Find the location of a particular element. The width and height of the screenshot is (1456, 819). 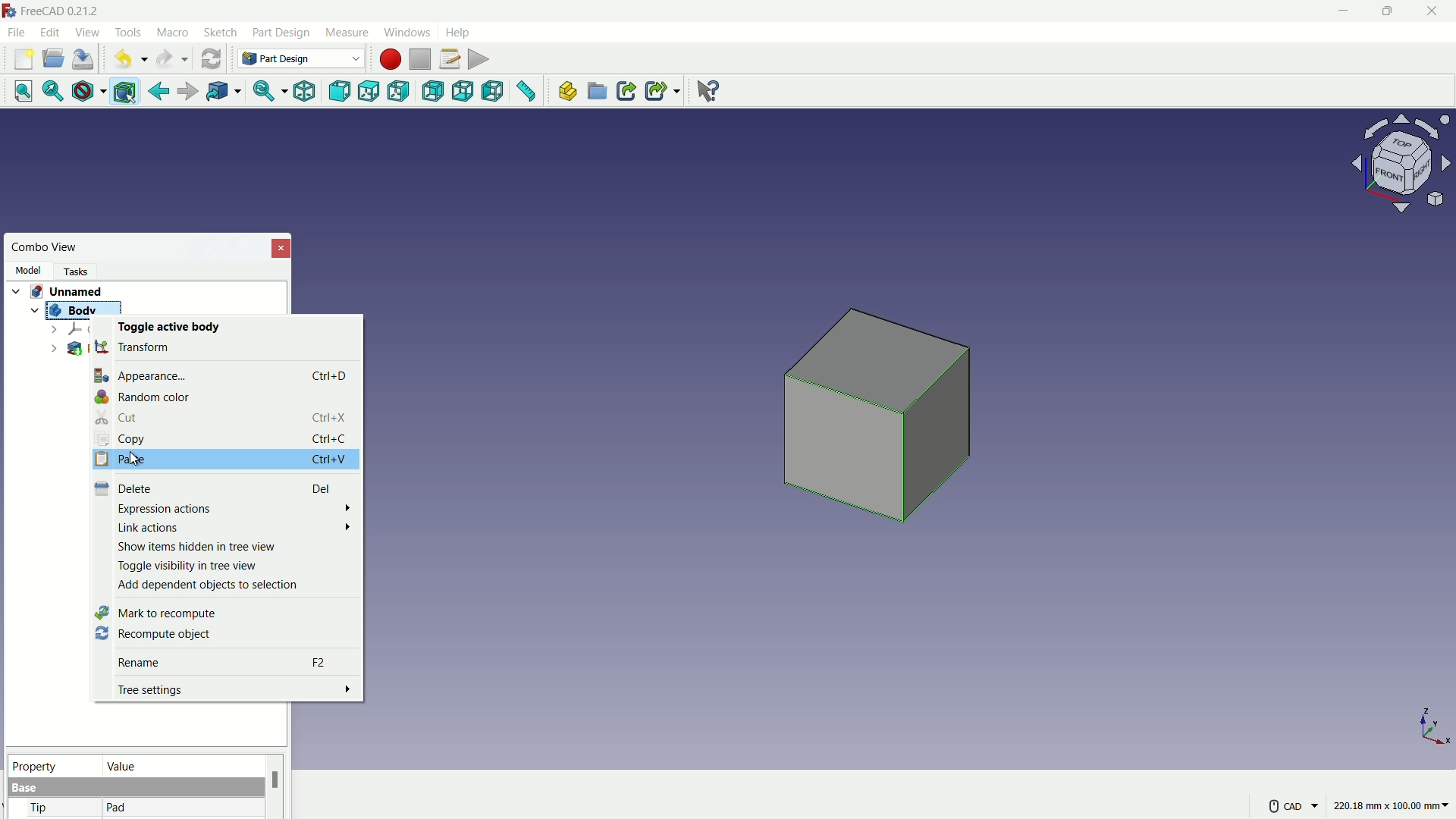

Cut Ctrl+X is located at coordinates (224, 418).